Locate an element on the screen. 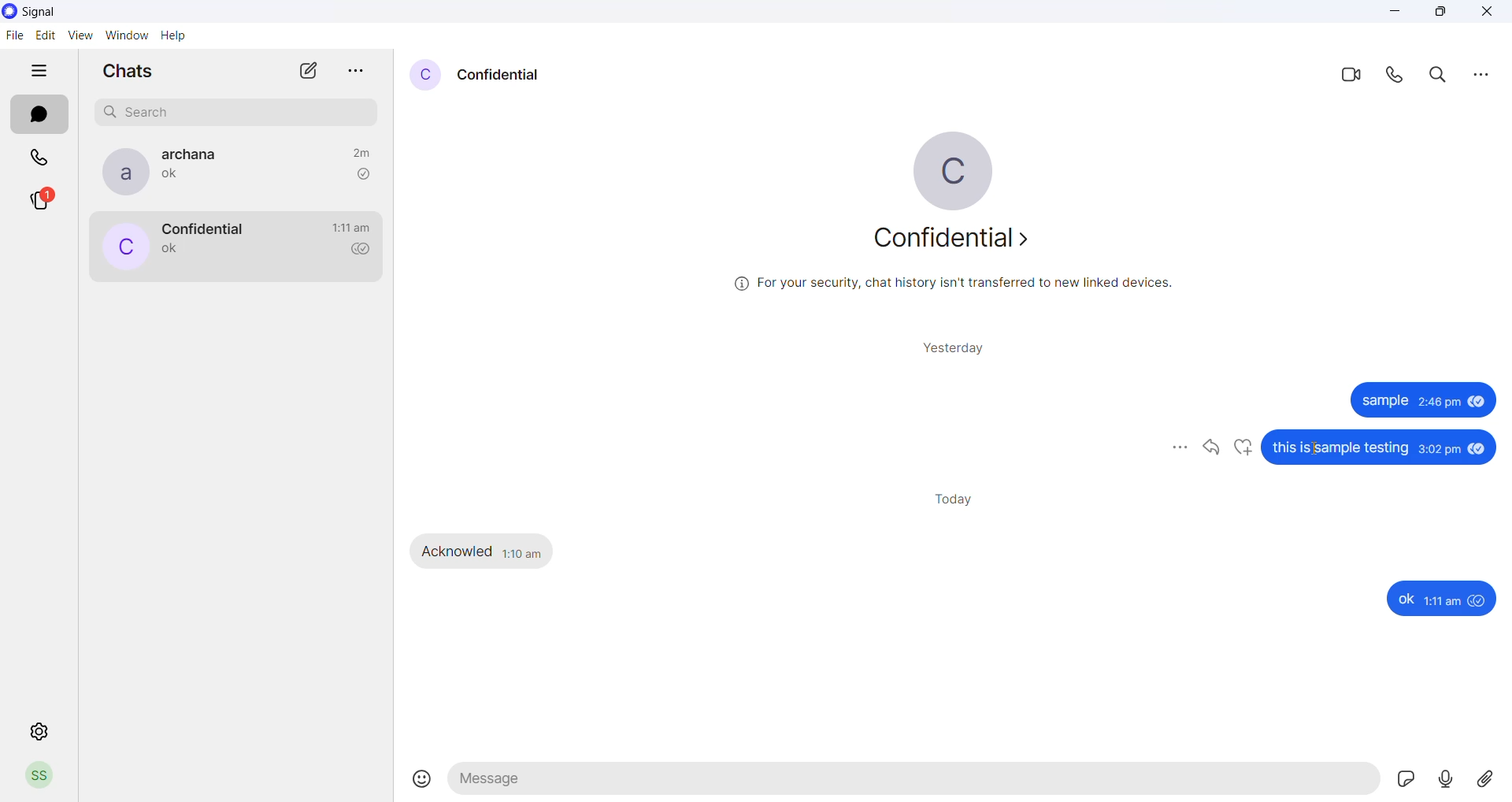  contact name is located at coordinates (500, 73).